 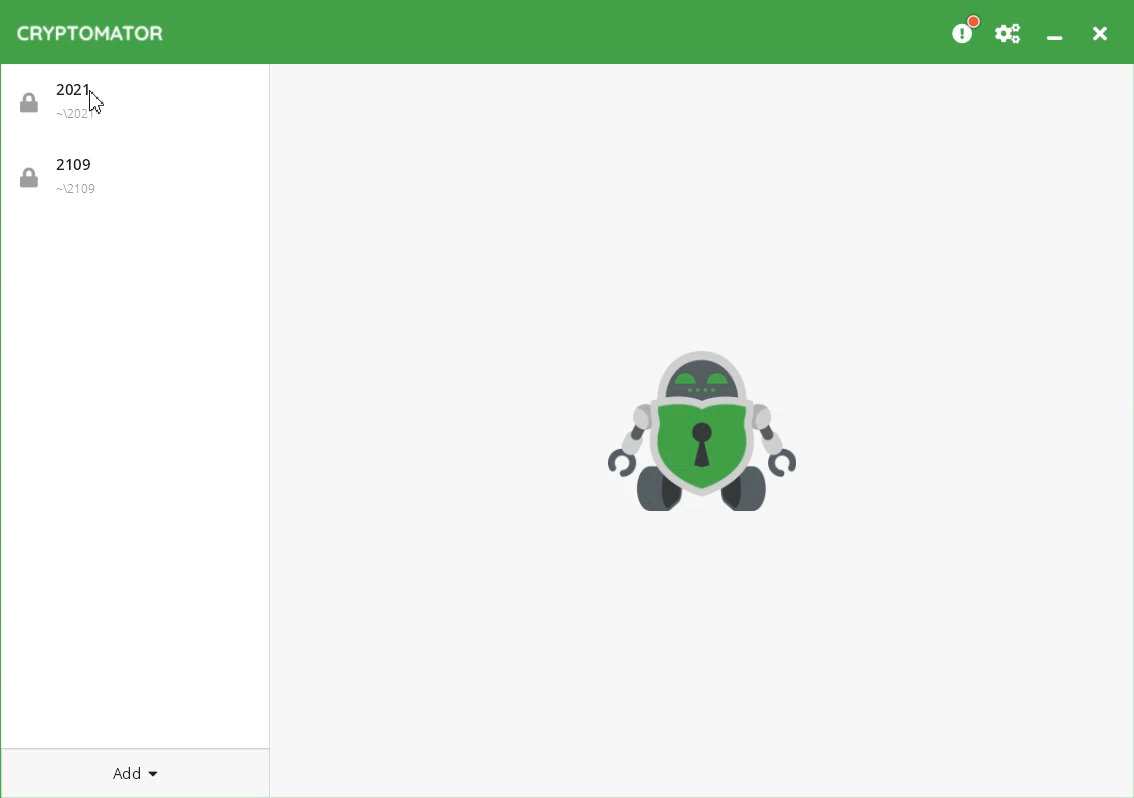 I want to click on Close, so click(x=1099, y=33).